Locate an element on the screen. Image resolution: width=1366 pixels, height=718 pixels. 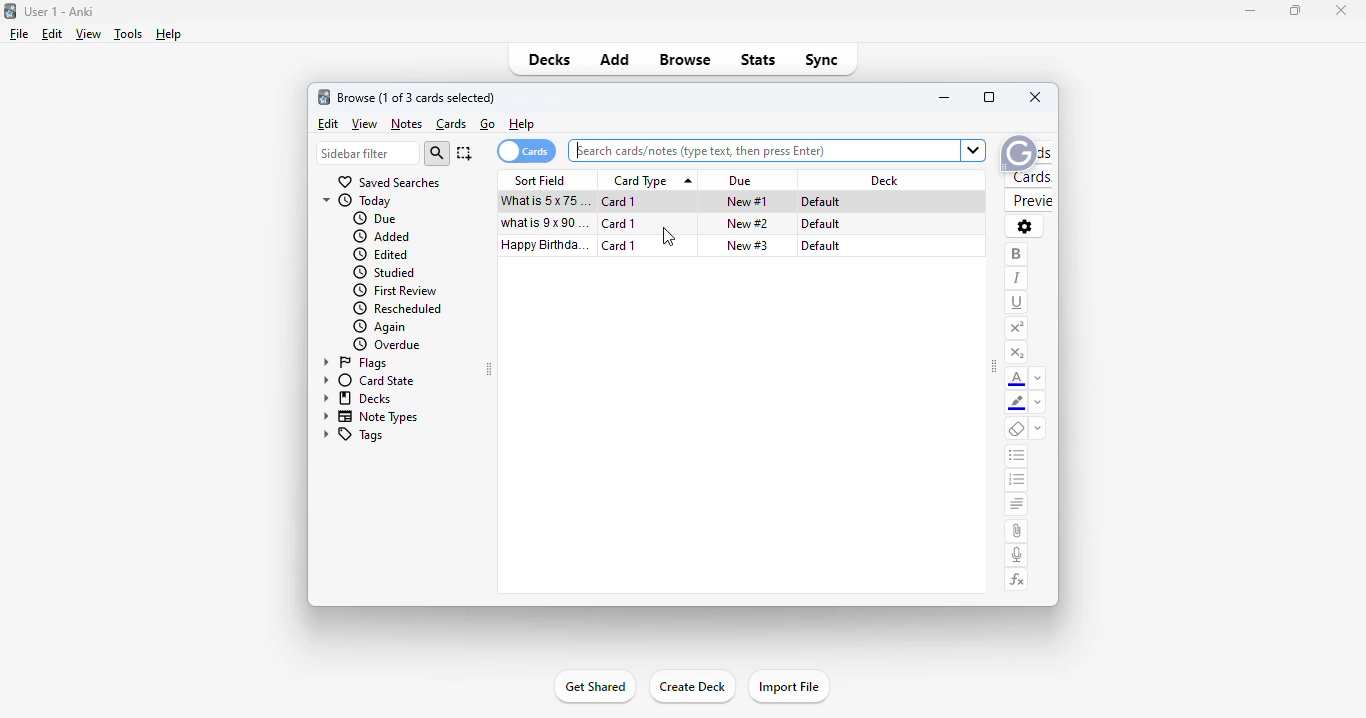
flags is located at coordinates (353, 363).